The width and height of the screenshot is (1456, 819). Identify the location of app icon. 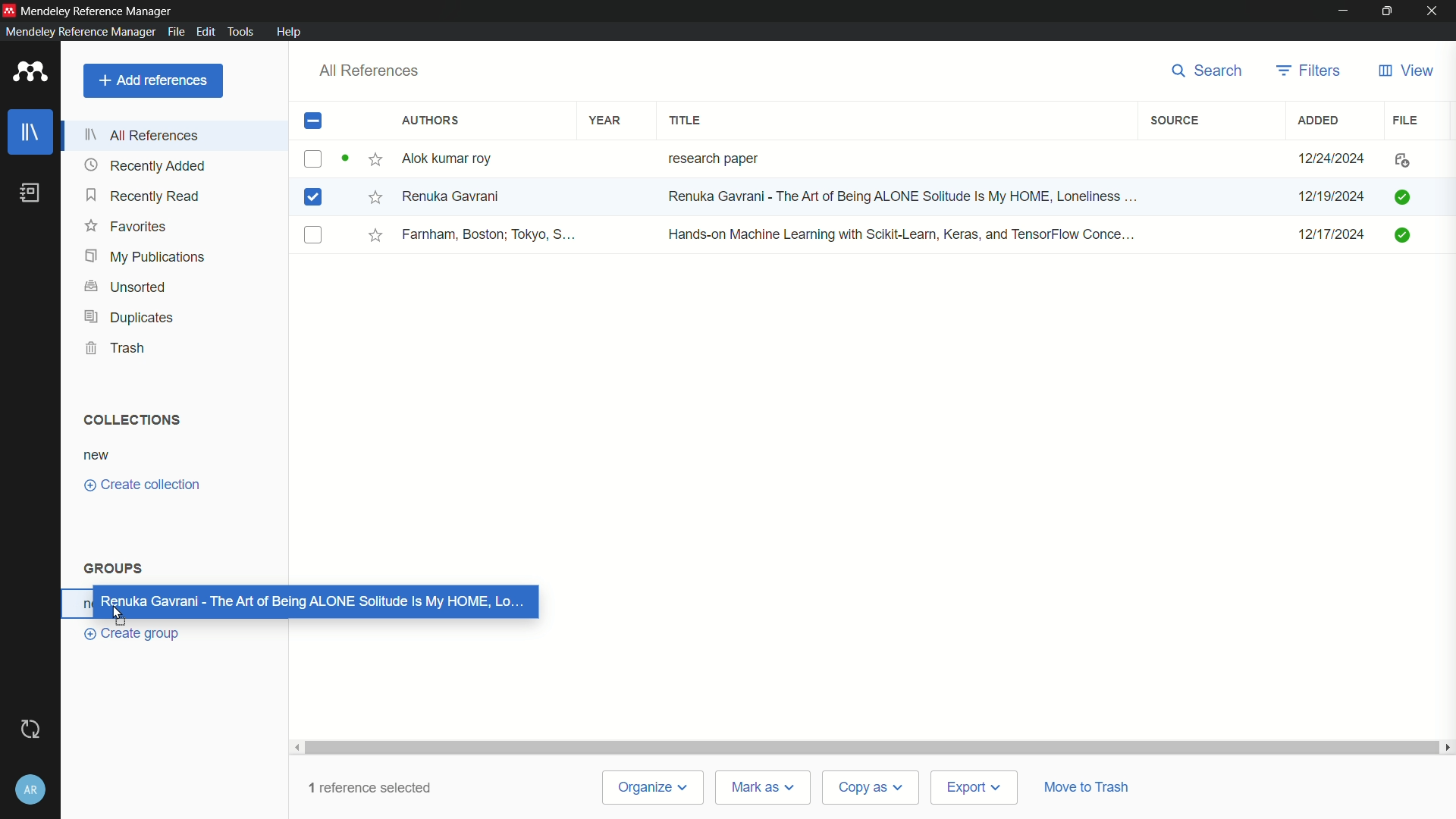
(9, 8).